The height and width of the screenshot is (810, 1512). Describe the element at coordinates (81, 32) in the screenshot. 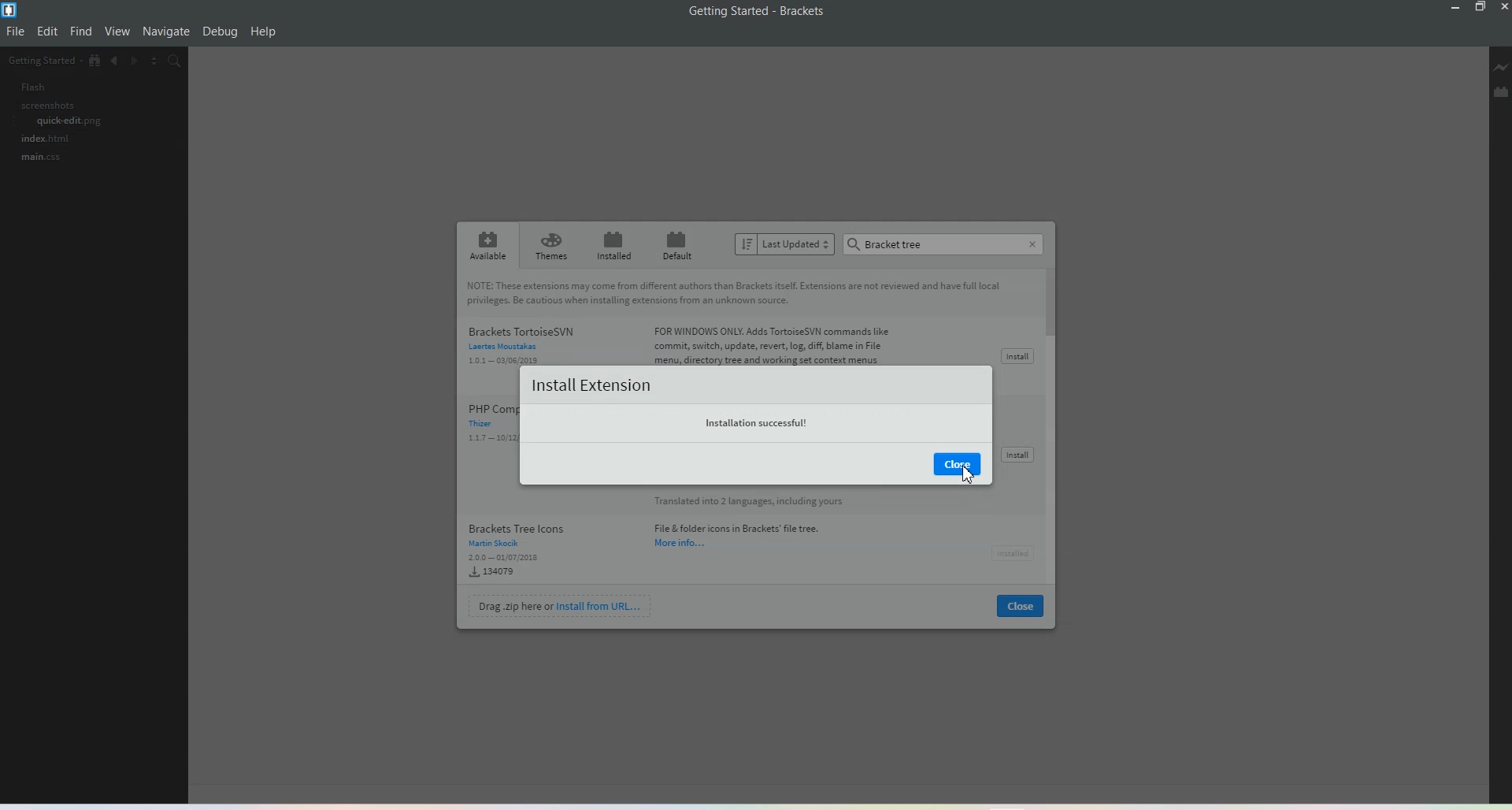

I see `Find` at that location.